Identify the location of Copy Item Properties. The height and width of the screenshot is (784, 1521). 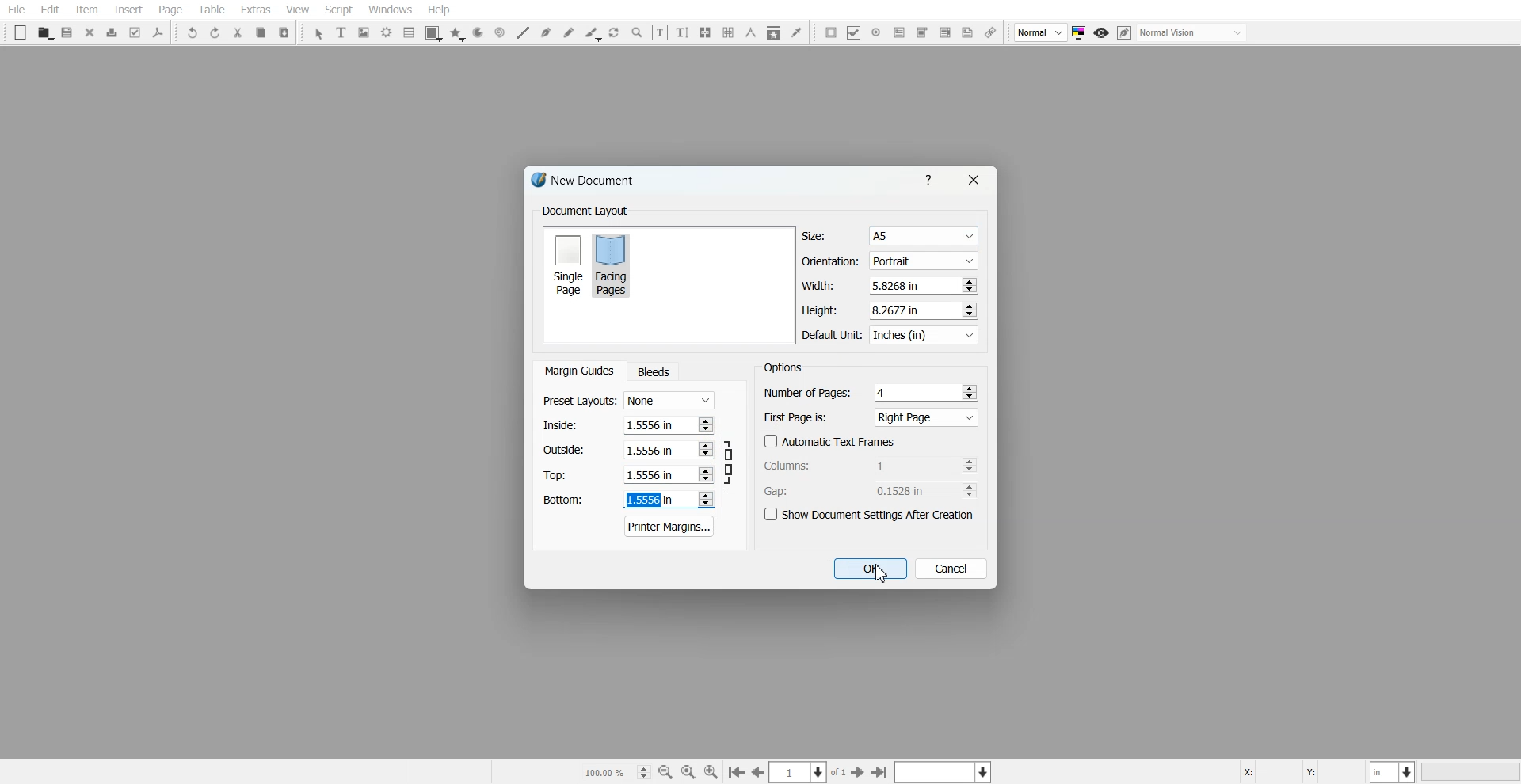
(774, 32).